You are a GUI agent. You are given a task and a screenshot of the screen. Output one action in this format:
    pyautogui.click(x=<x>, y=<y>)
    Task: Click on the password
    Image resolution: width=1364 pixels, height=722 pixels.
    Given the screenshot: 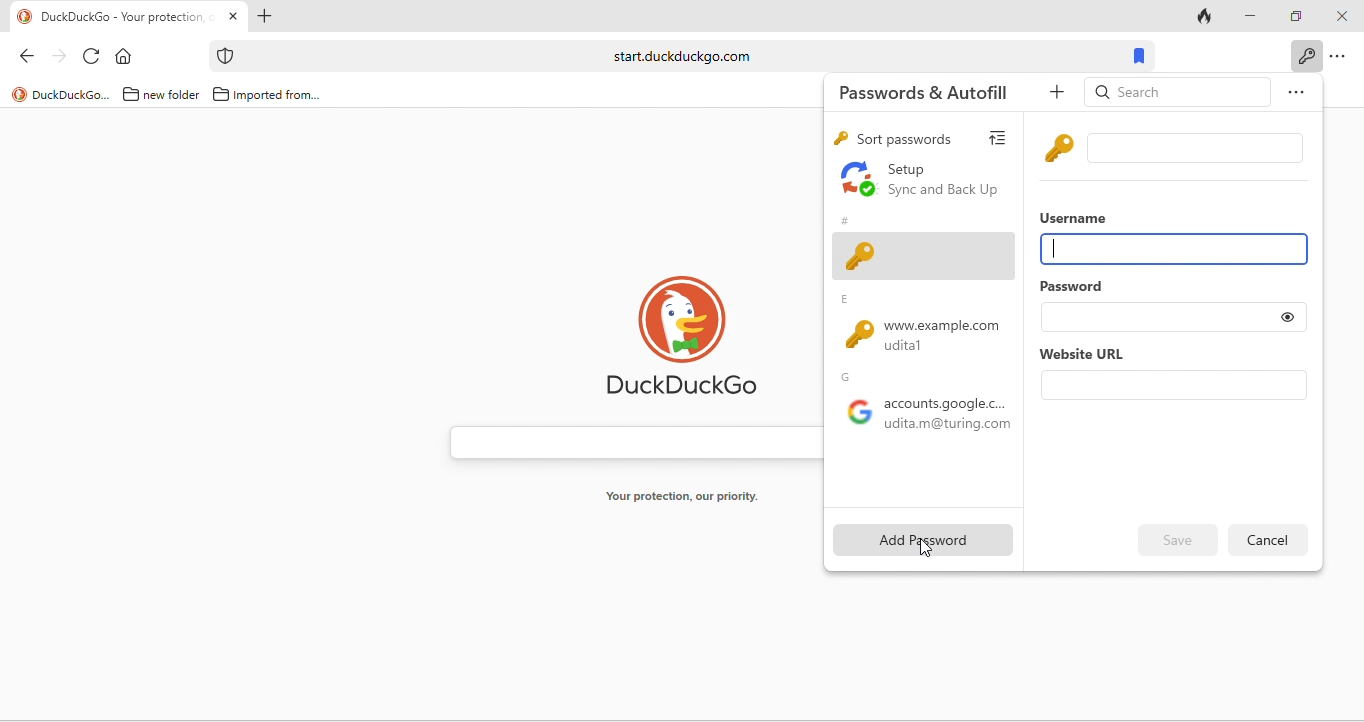 What is the action you would take?
    pyautogui.click(x=1074, y=288)
    